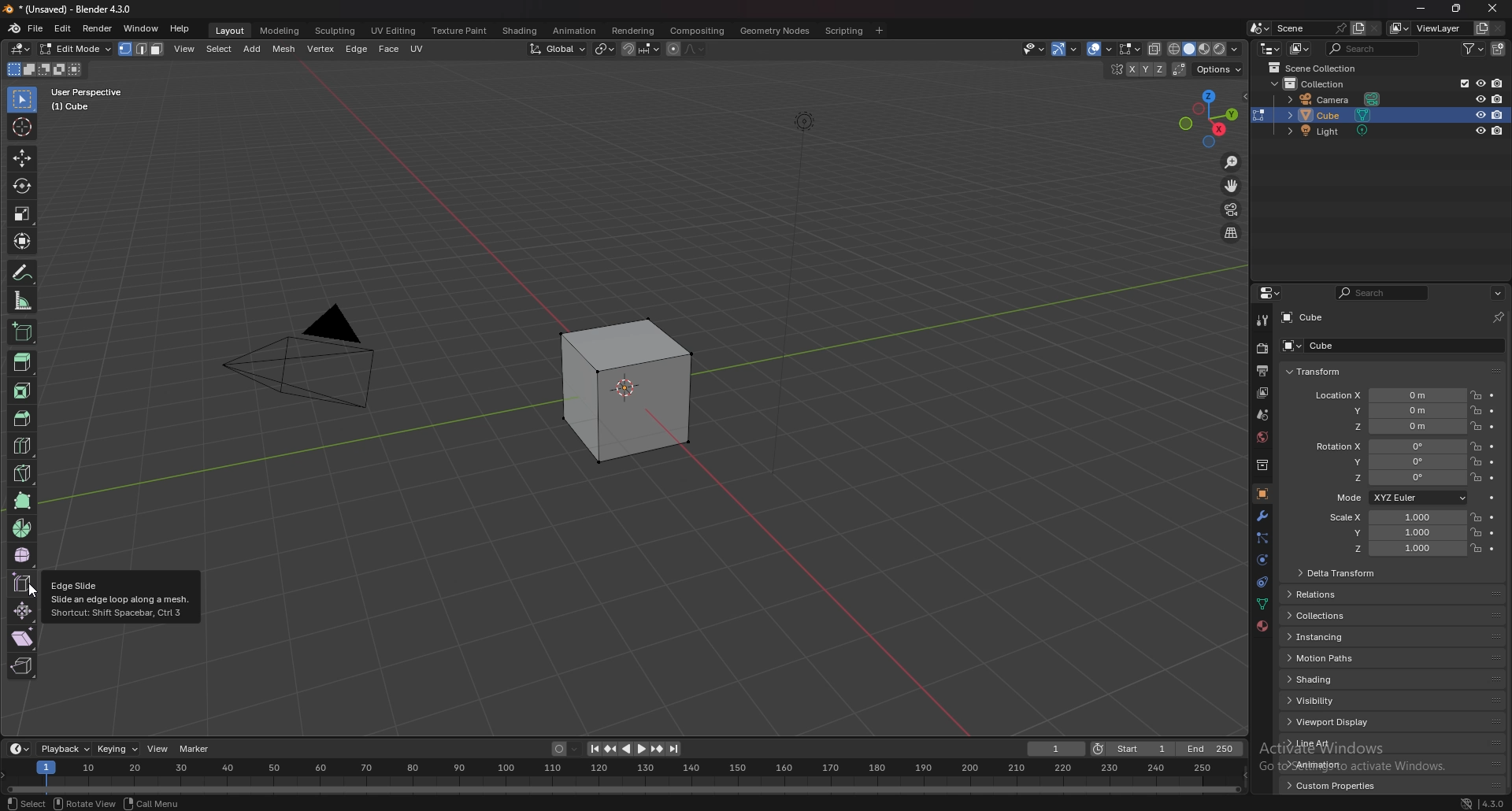  I want to click on exclude from viewlayer, so click(1459, 83).